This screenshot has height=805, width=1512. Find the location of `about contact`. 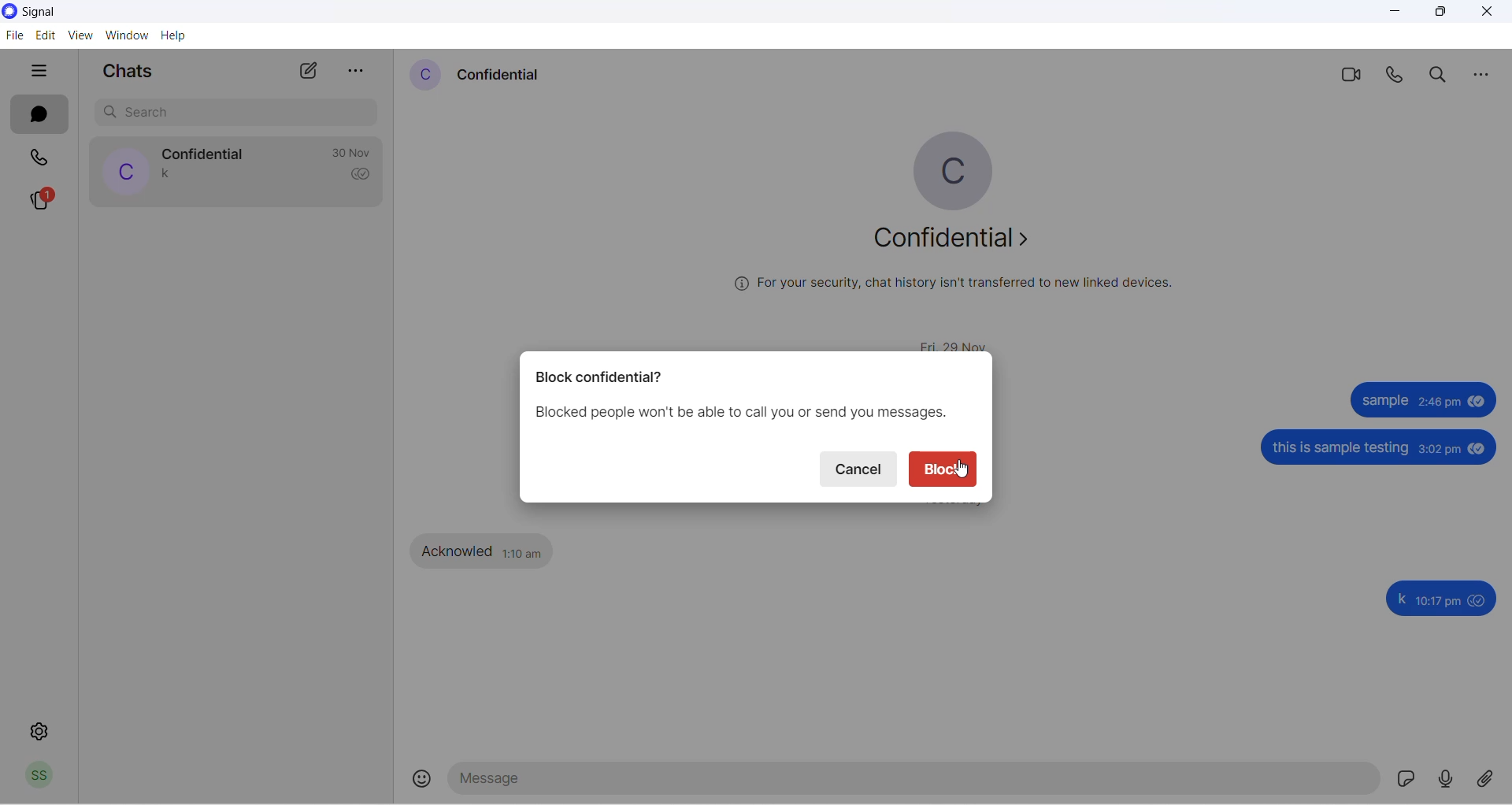

about contact is located at coordinates (951, 244).